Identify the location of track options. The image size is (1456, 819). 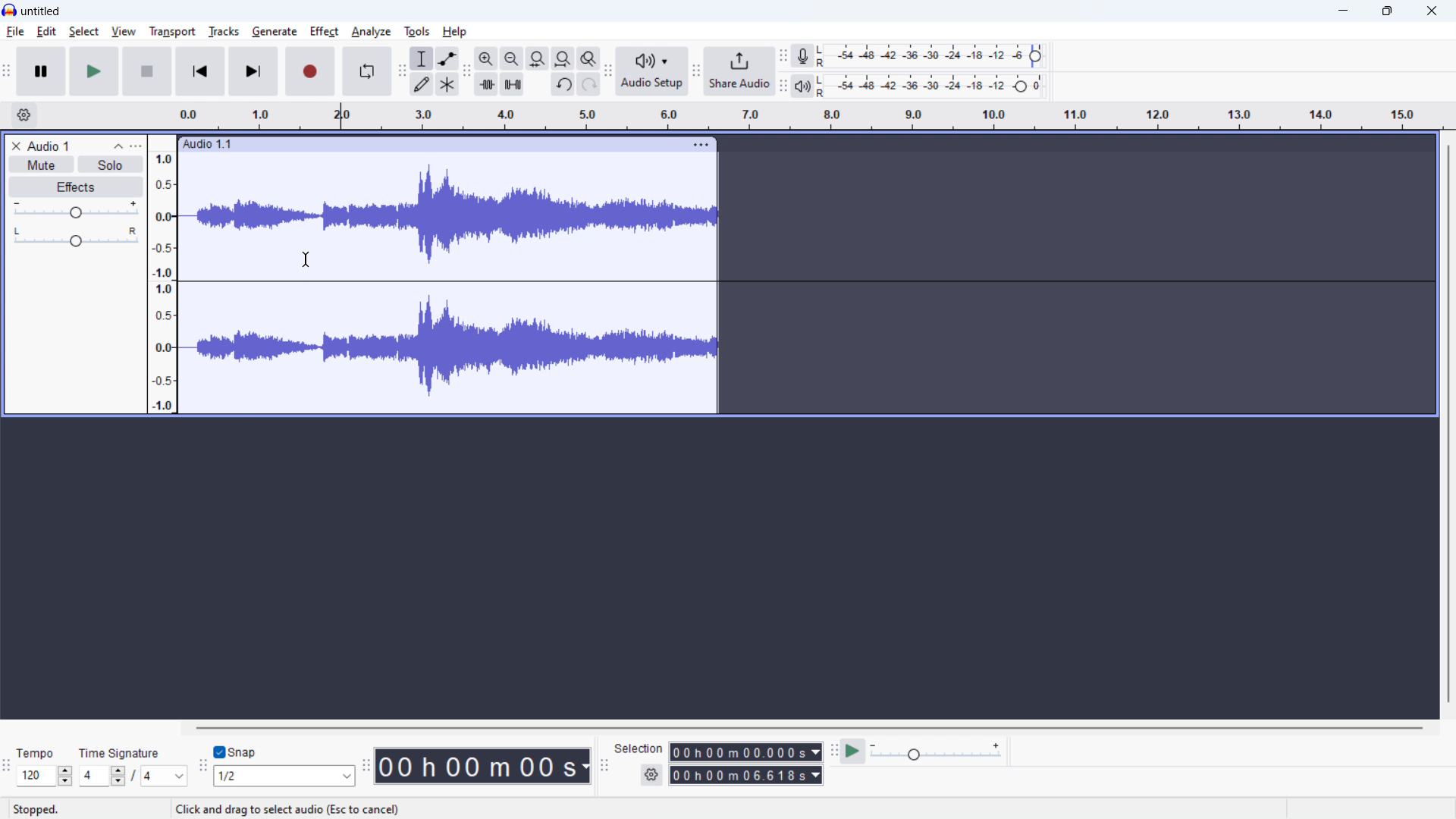
(704, 146).